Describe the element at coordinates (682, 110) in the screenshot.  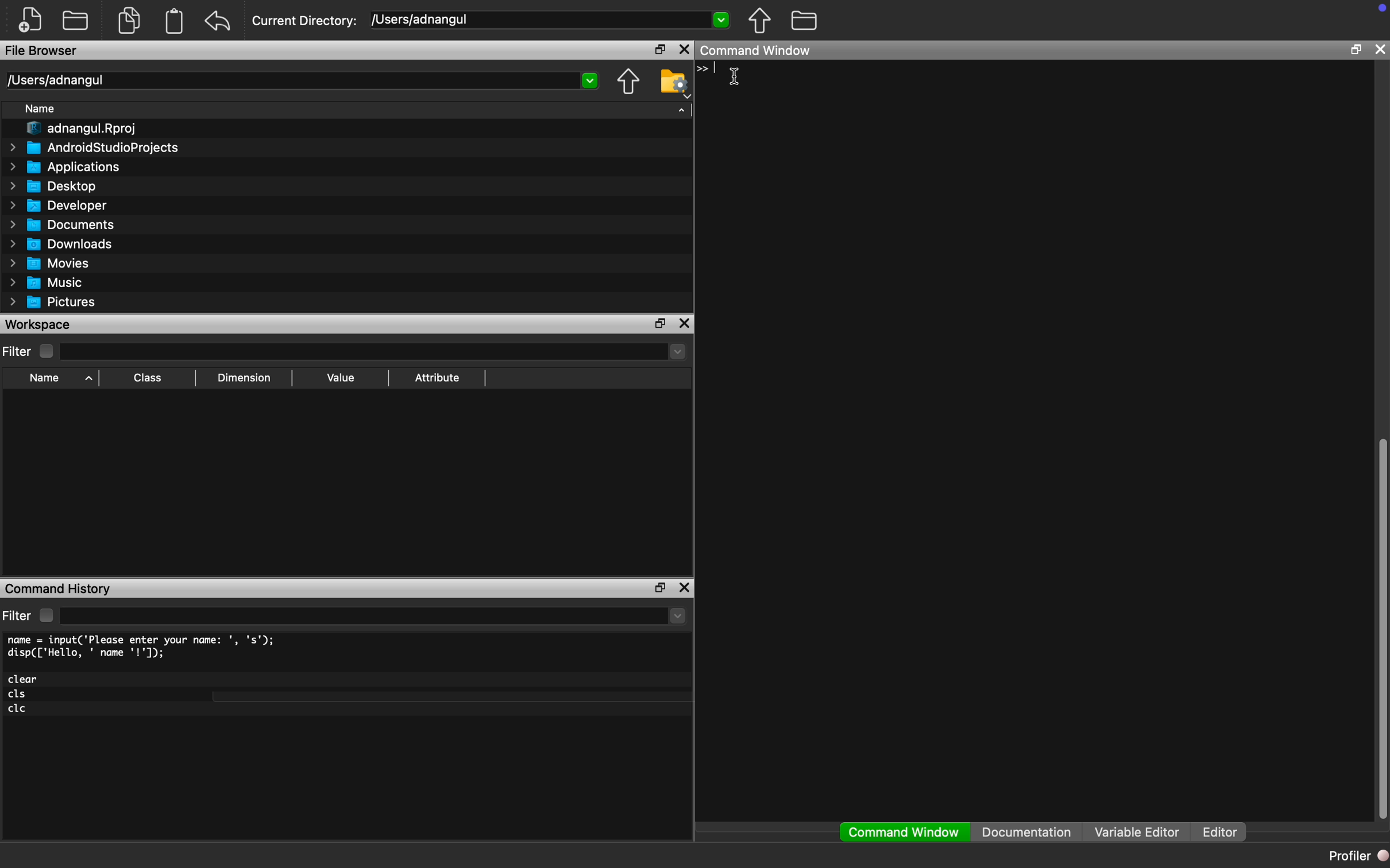
I see `Collapse` at that location.